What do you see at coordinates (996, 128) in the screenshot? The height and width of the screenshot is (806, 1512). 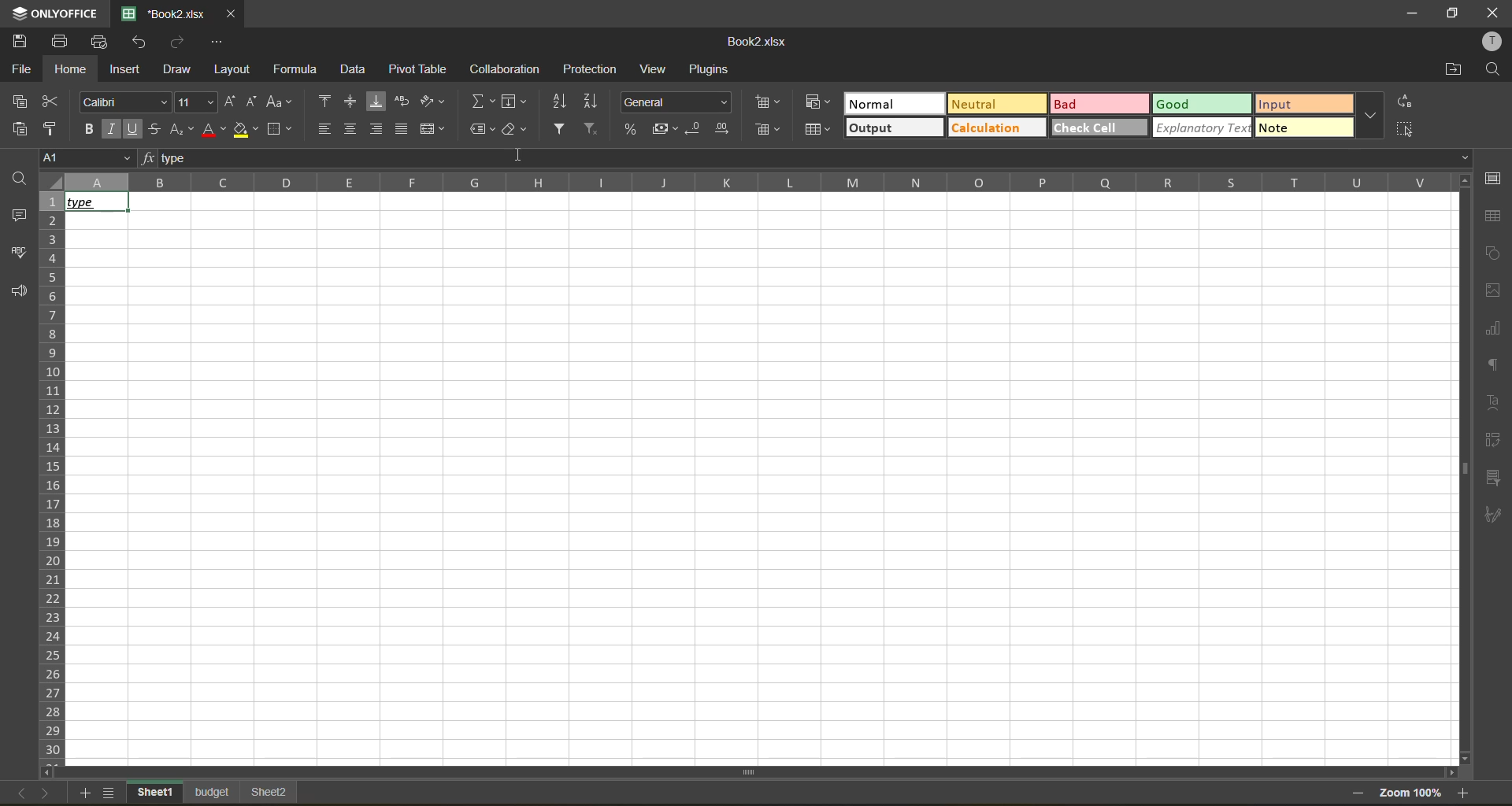 I see `calculation` at bounding box center [996, 128].